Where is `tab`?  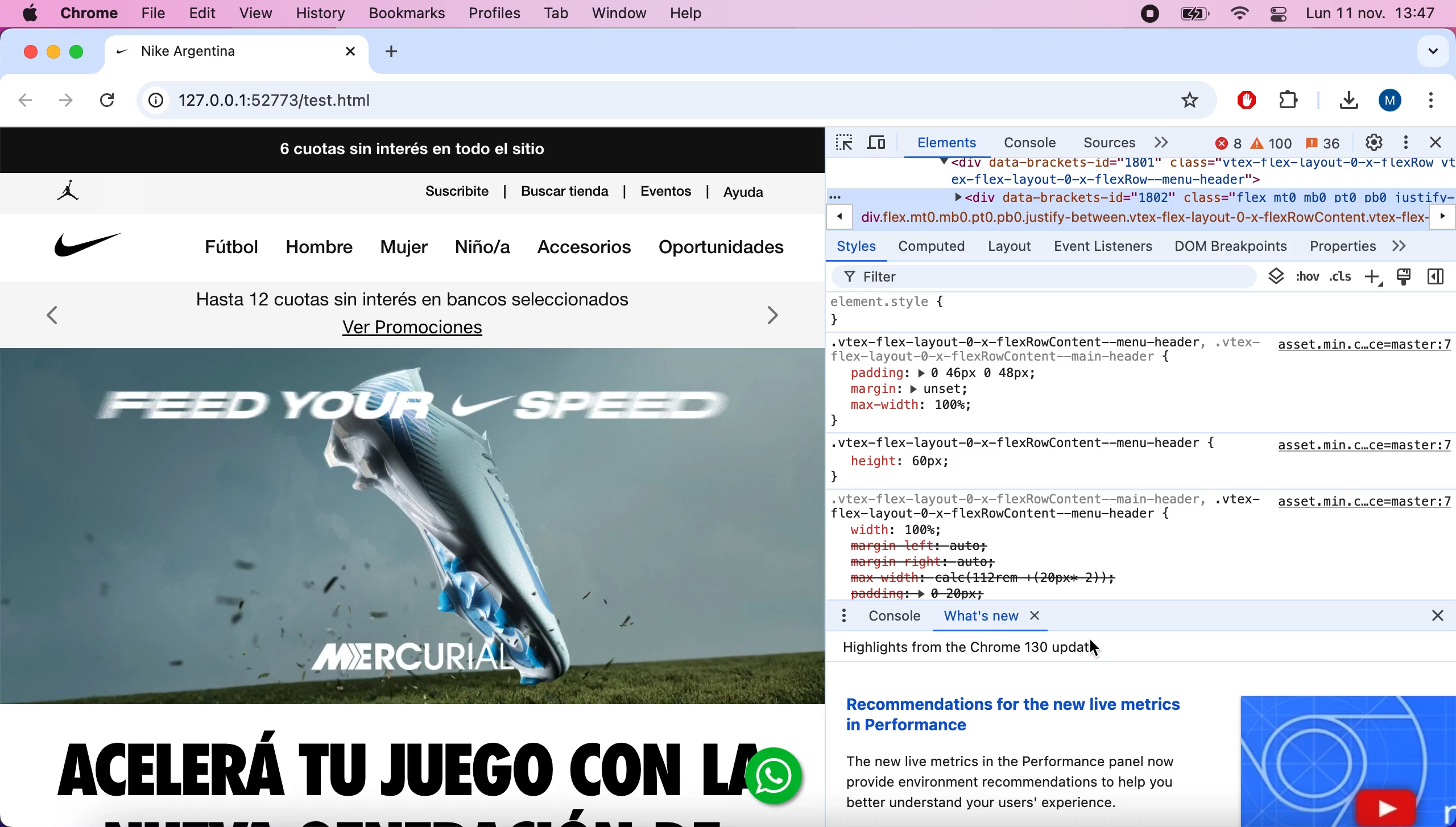
tab is located at coordinates (238, 53).